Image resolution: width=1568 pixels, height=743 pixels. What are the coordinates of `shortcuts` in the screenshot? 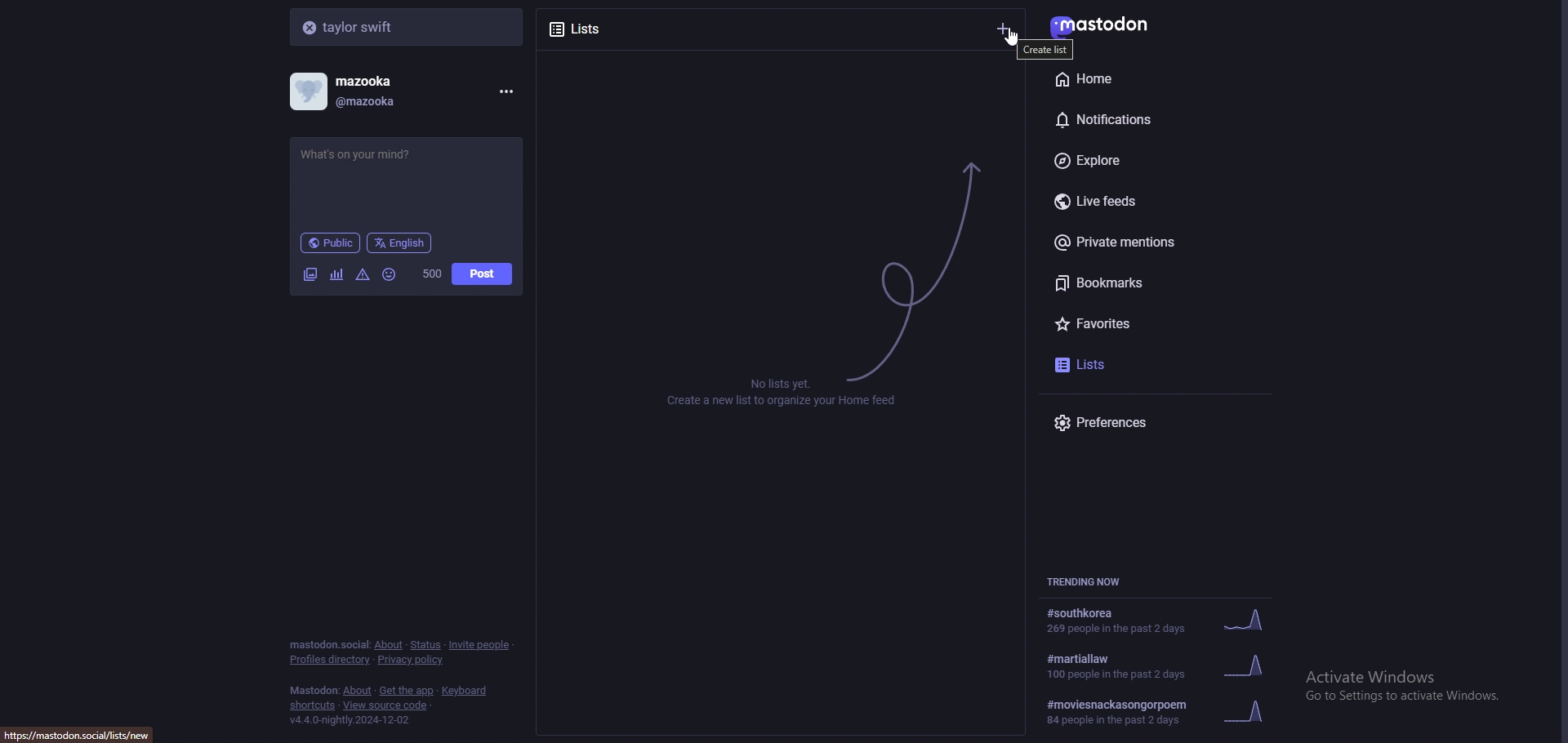 It's located at (313, 707).